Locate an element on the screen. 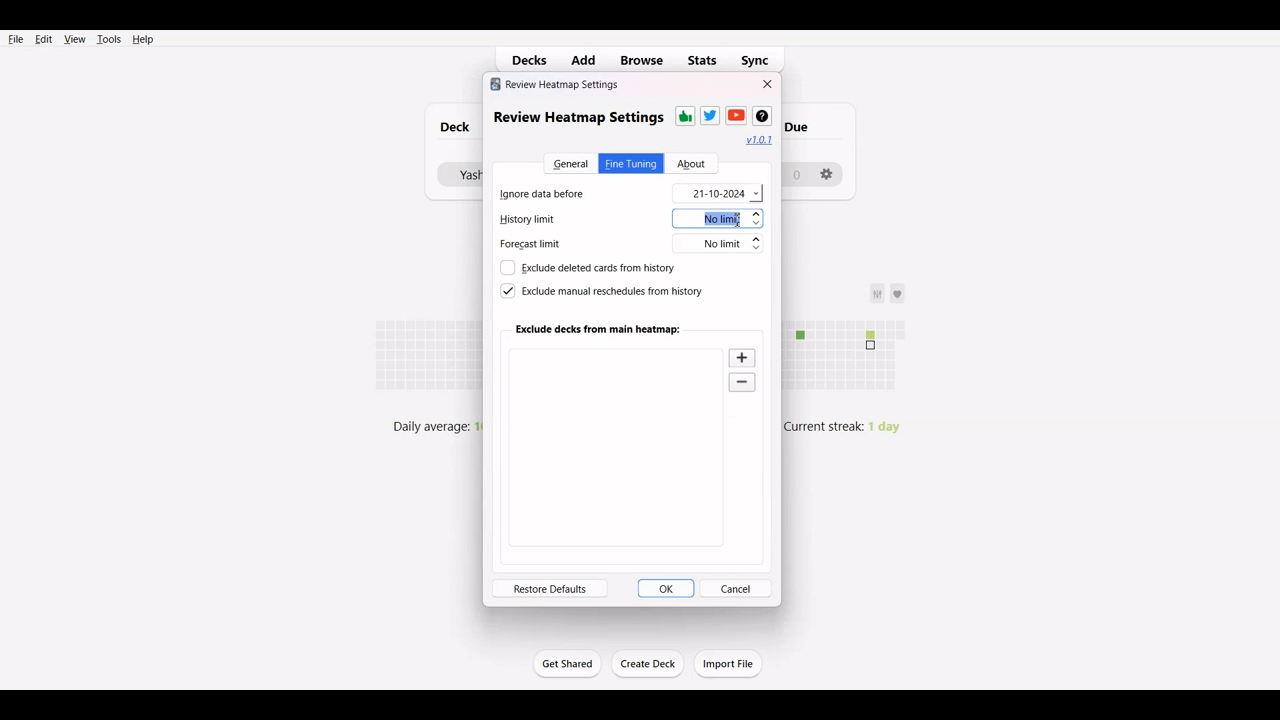 The image size is (1280, 720). Create Deck is located at coordinates (649, 664).